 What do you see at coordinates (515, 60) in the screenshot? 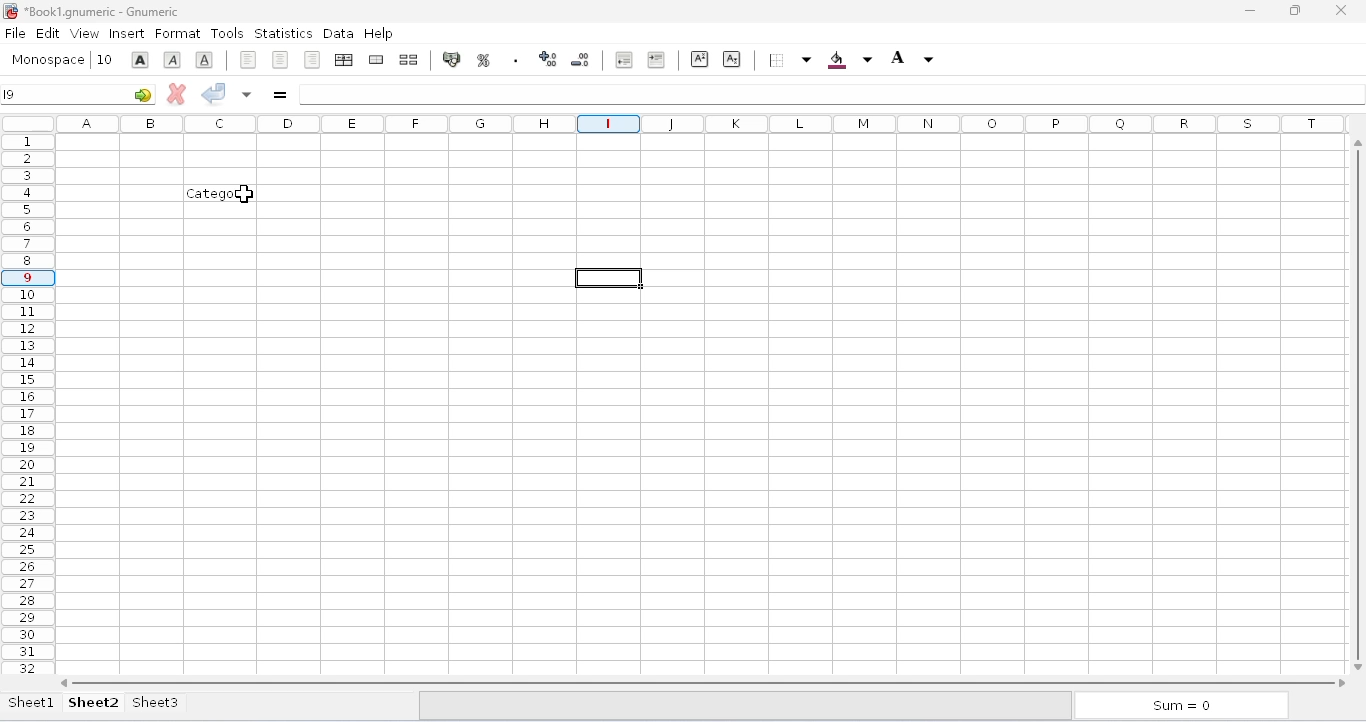
I see `set the format of the selected cells to include a thousands separator` at bounding box center [515, 60].